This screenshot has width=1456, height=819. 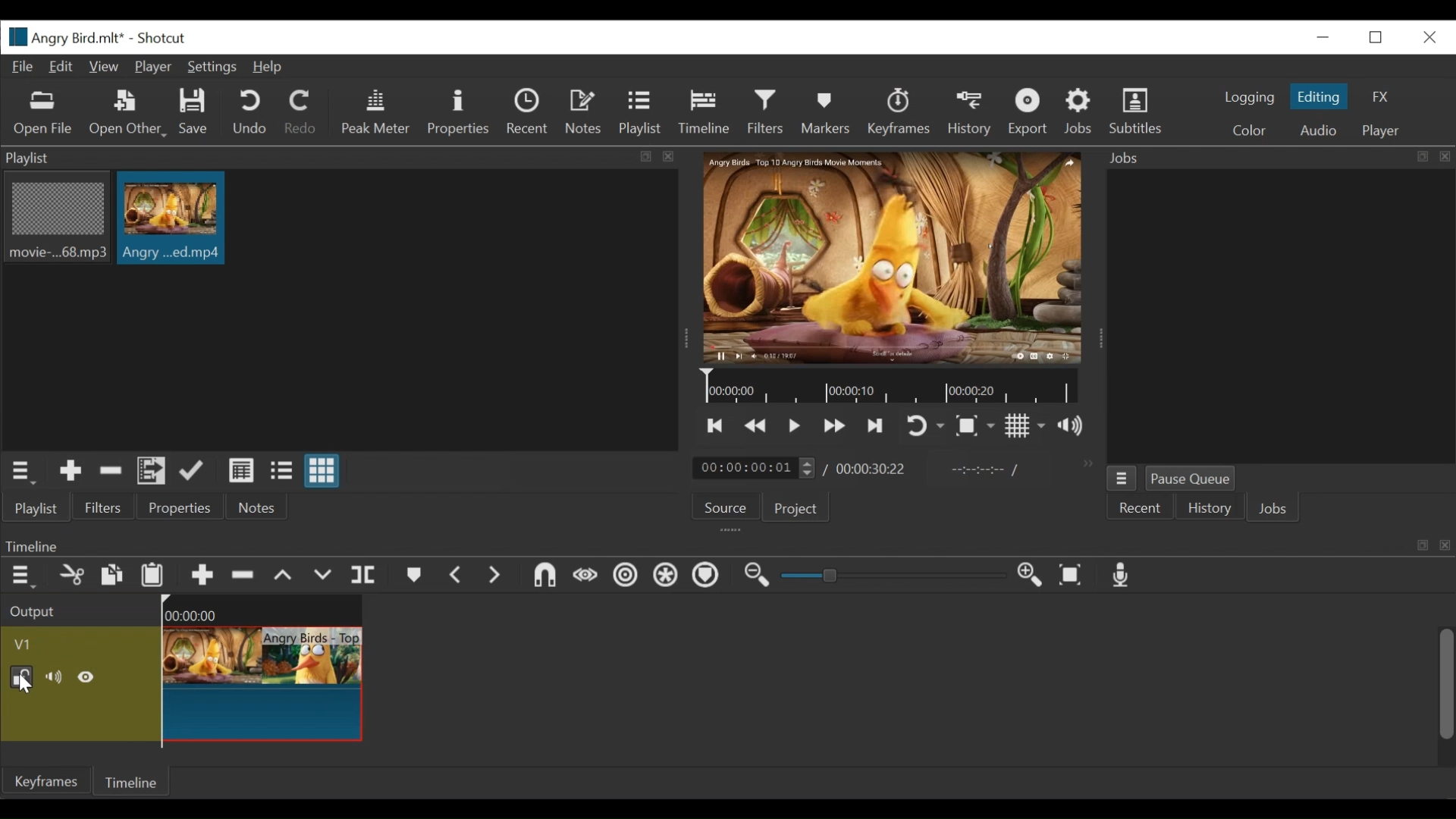 I want to click on Ripple, so click(x=626, y=578).